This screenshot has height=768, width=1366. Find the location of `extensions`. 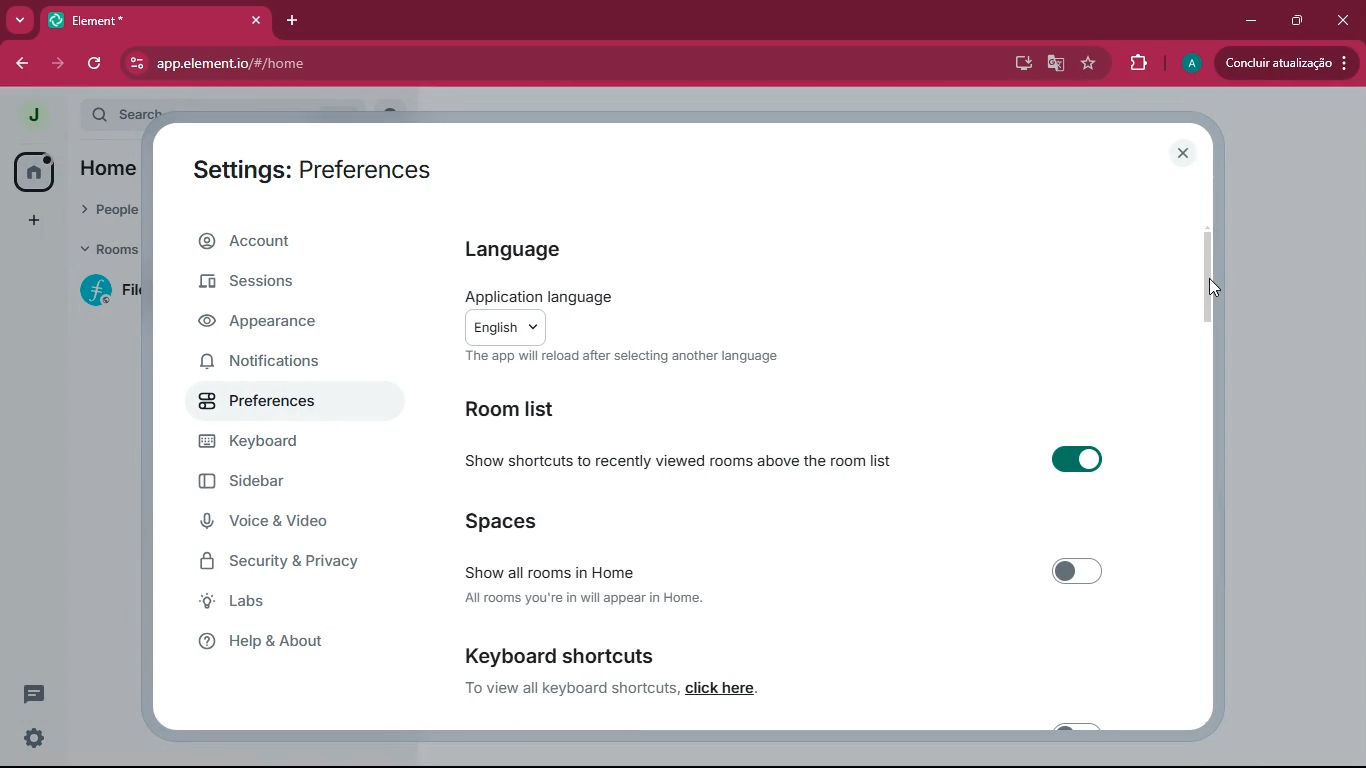

extensions is located at coordinates (1139, 63).